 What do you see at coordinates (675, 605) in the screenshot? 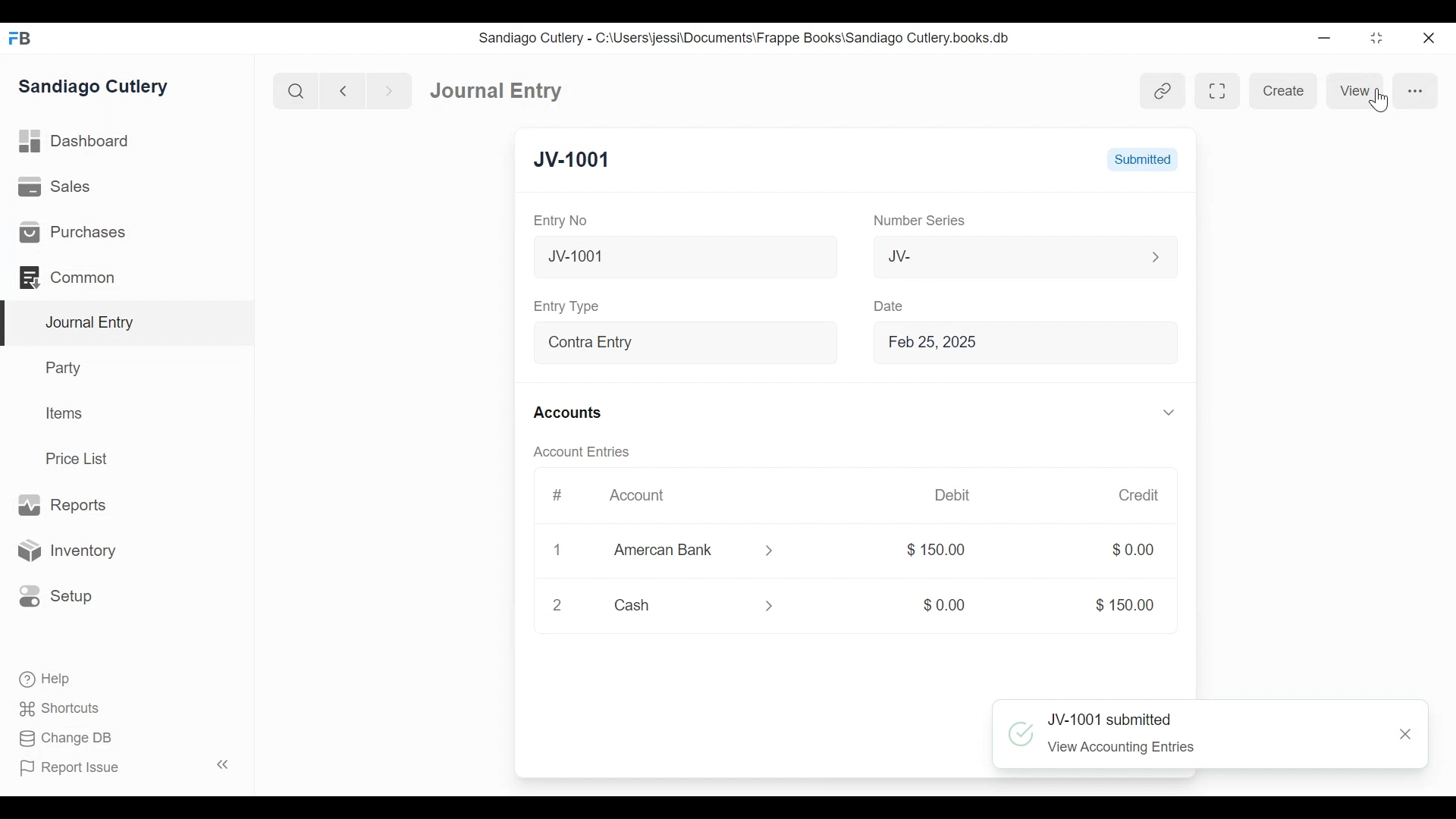
I see `Cash` at bounding box center [675, 605].